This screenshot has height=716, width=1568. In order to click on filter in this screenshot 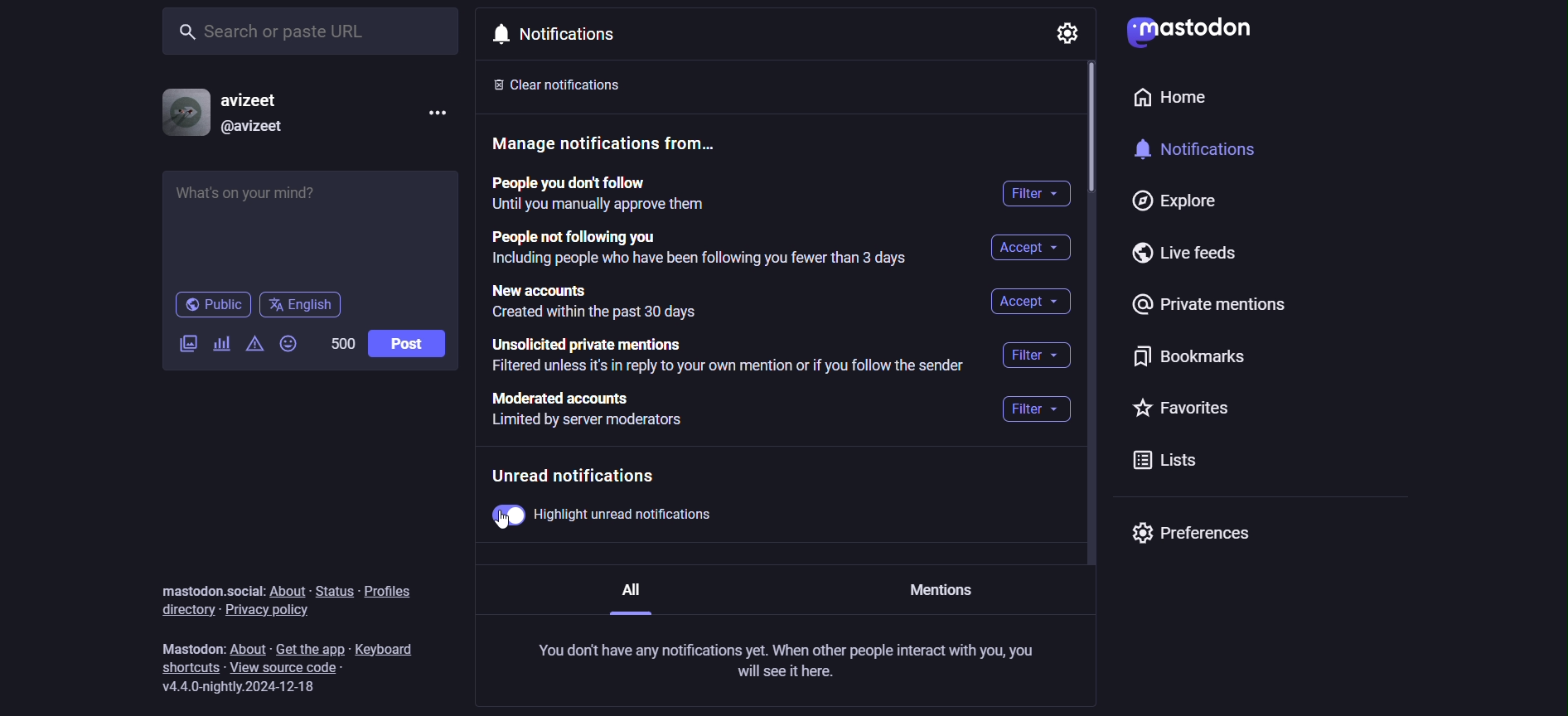, I will do `click(1033, 412)`.